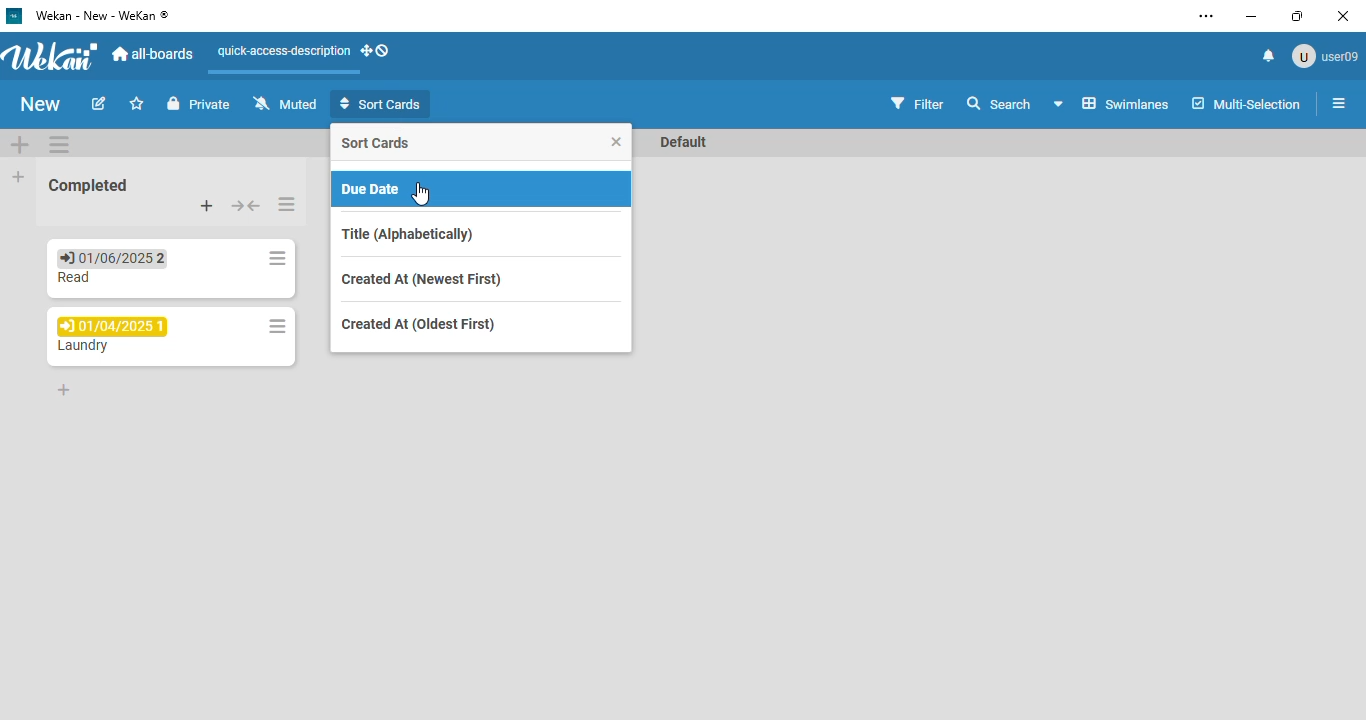  What do you see at coordinates (155, 54) in the screenshot?
I see `all-boards` at bounding box center [155, 54].